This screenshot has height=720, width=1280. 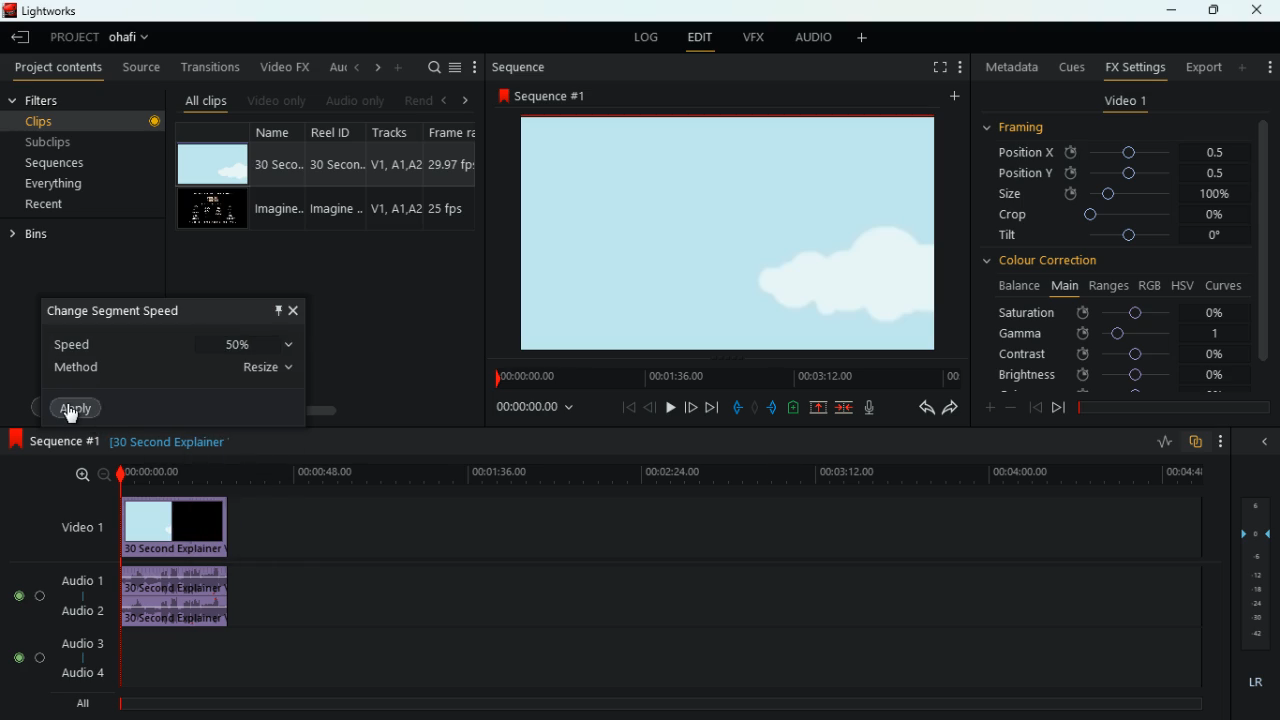 What do you see at coordinates (1062, 287) in the screenshot?
I see `main` at bounding box center [1062, 287].